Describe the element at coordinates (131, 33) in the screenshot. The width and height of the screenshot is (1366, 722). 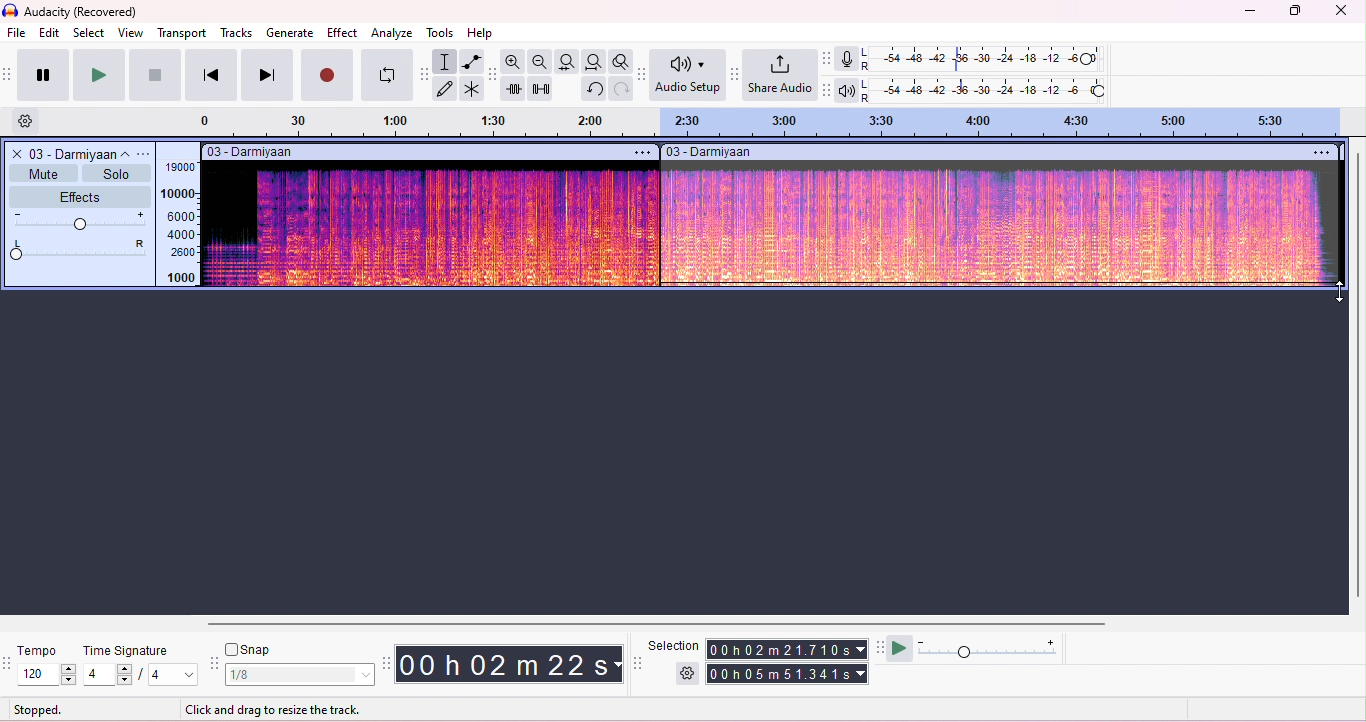
I see `view` at that location.